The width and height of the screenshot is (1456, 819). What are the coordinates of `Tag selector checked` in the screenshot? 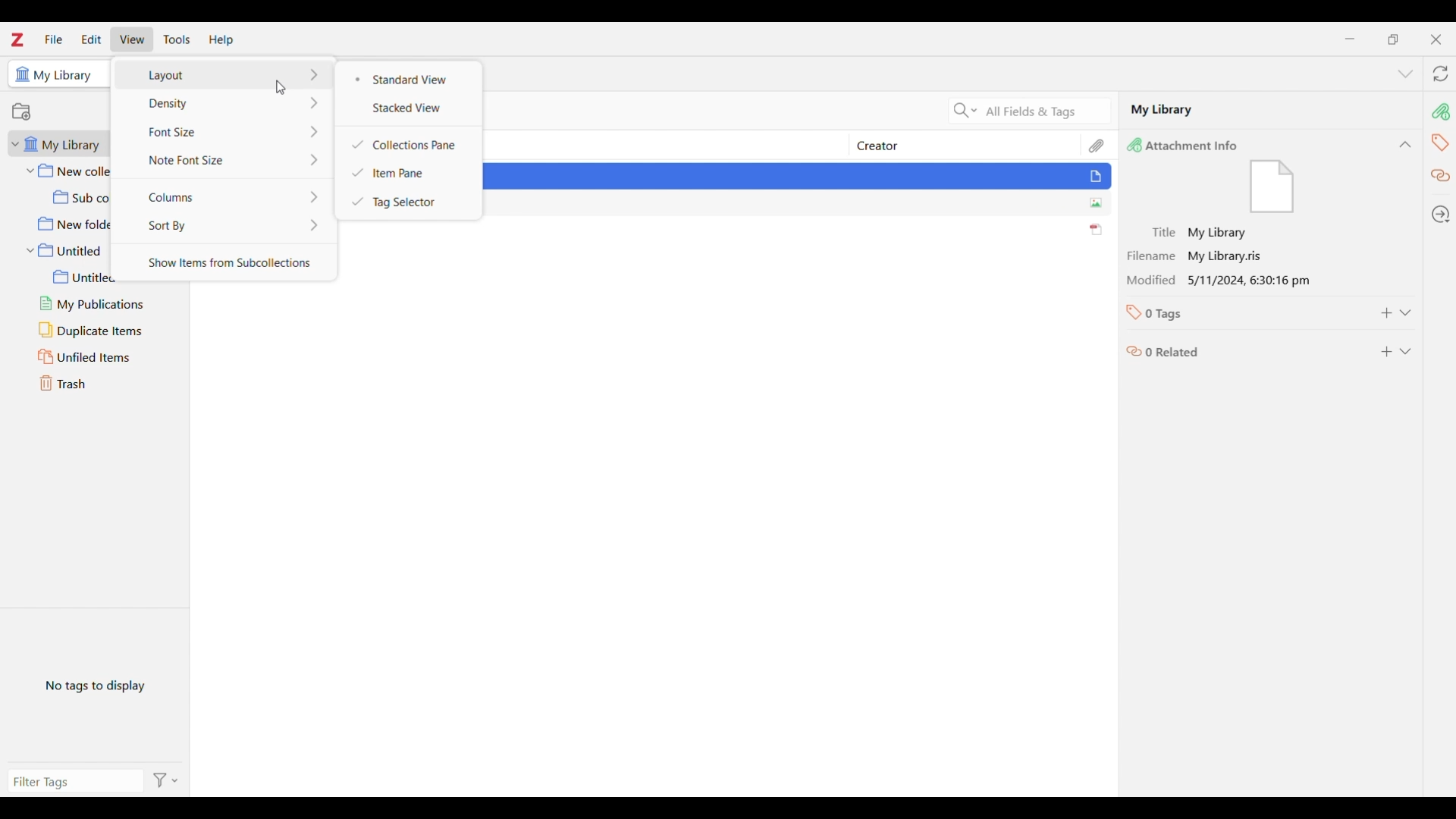 It's located at (407, 202).